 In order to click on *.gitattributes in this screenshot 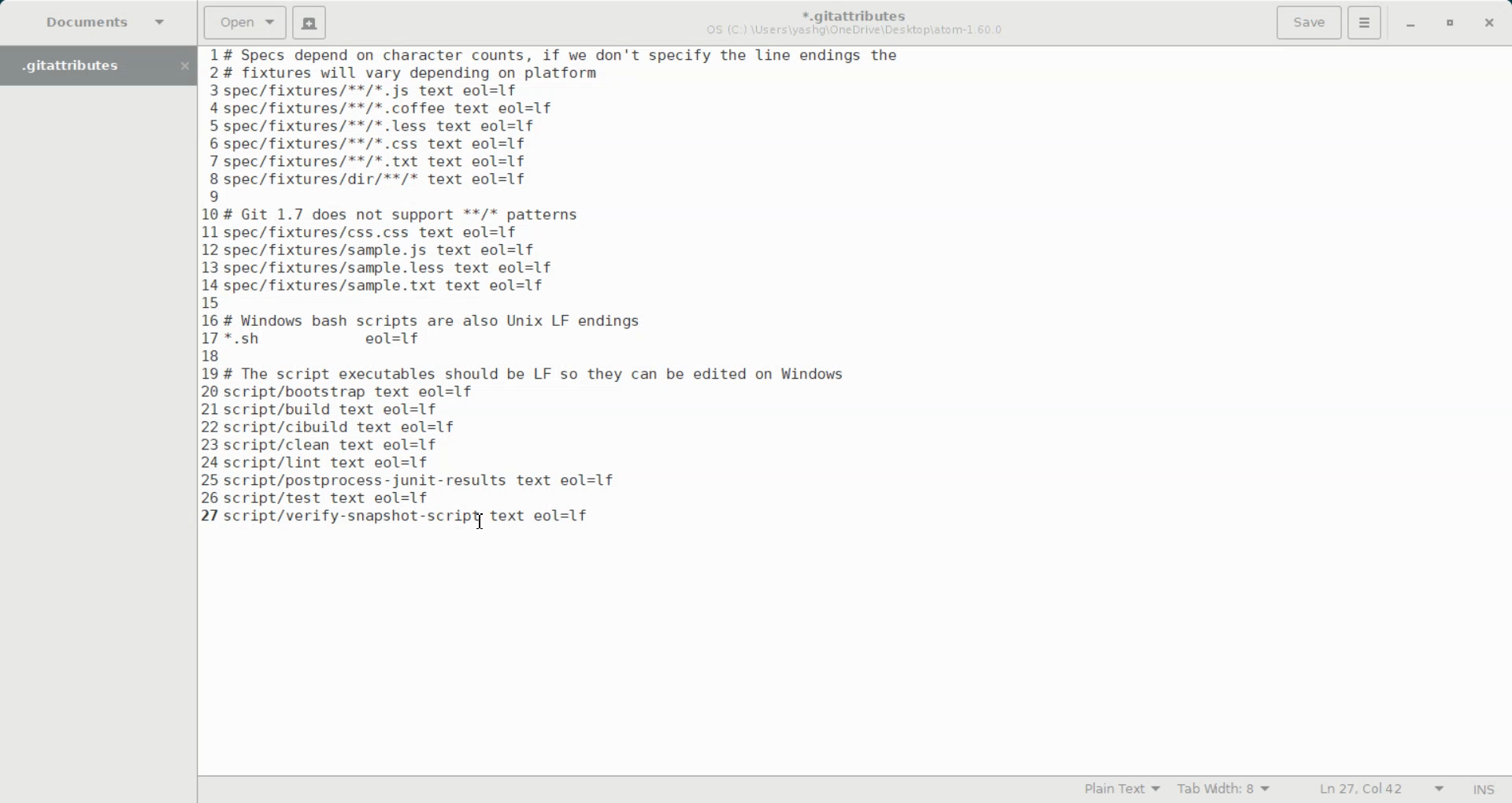, I will do `click(850, 11)`.